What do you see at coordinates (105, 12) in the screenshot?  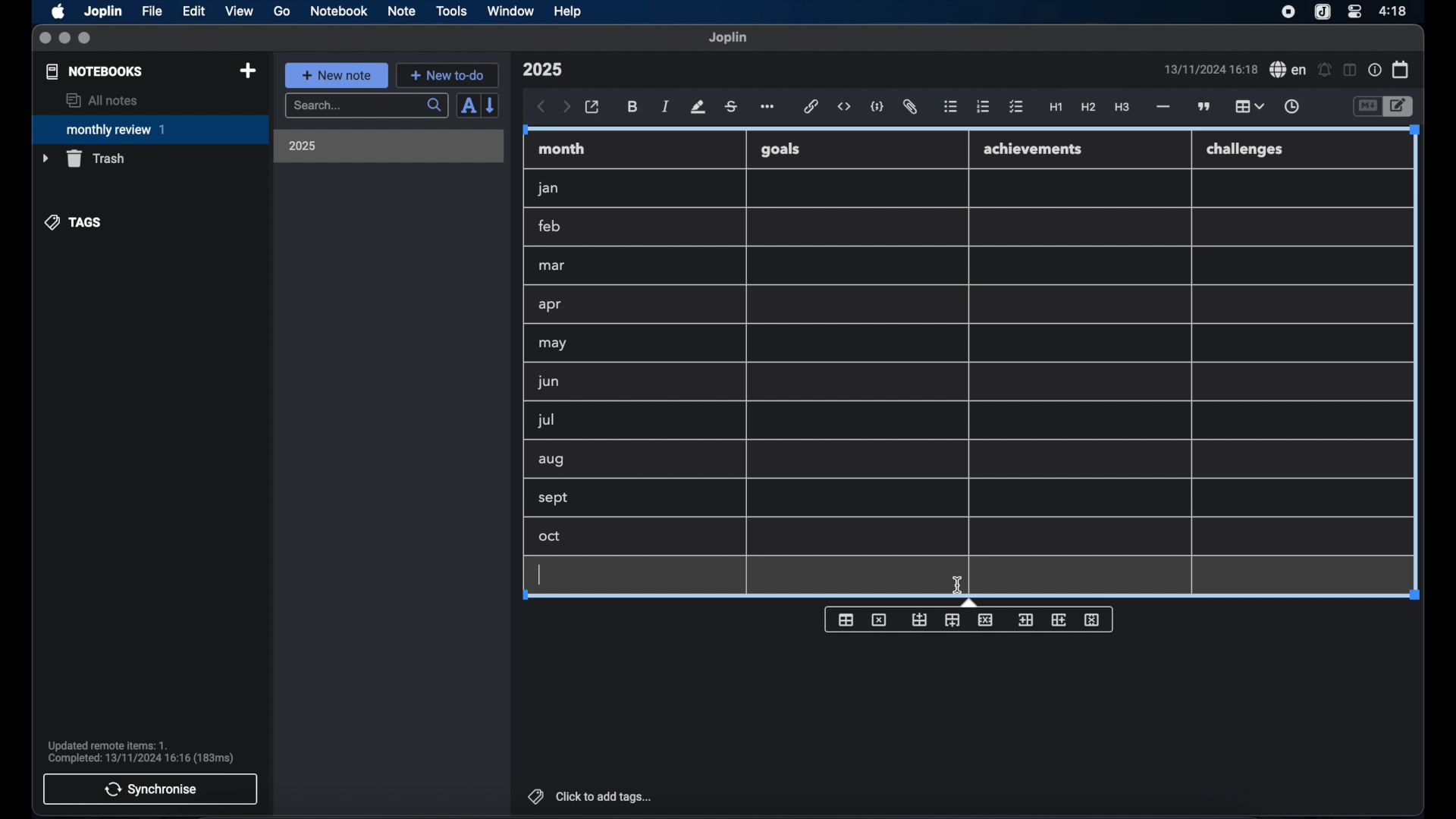 I see `Joplin` at bounding box center [105, 12].